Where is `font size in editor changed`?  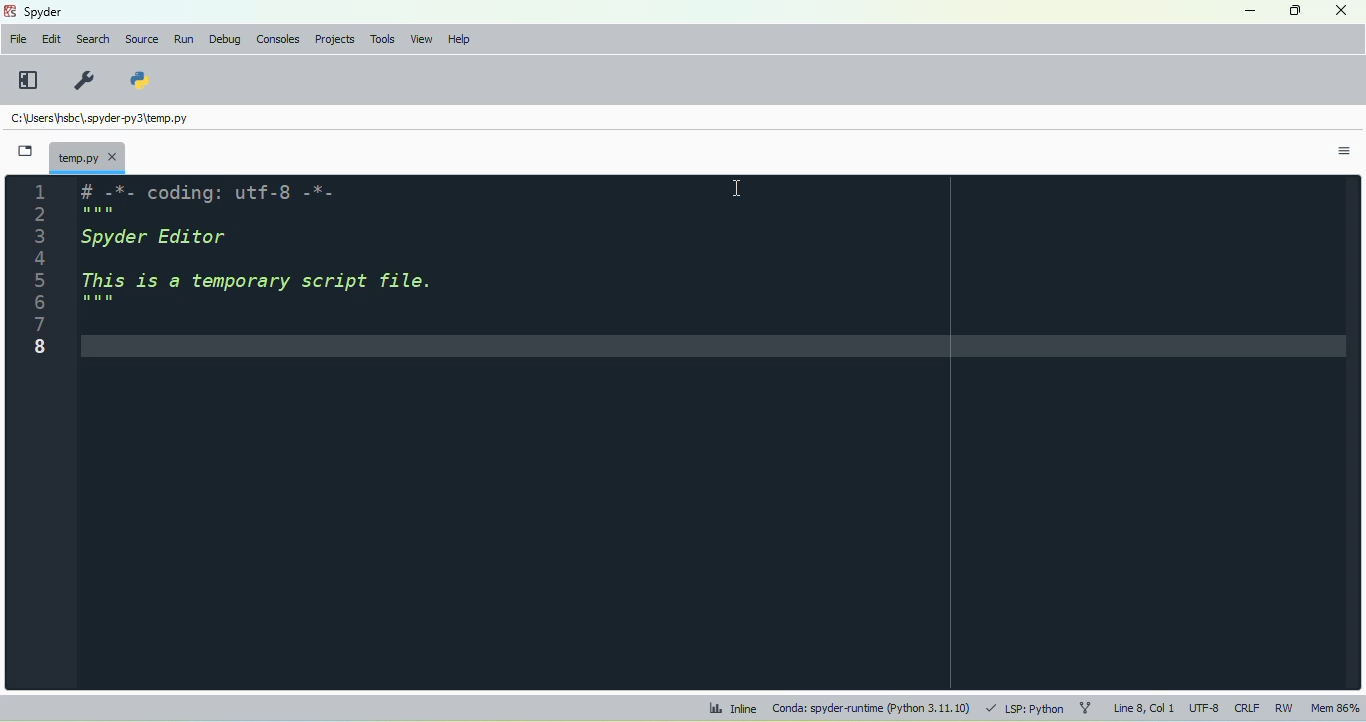 font size in editor changed is located at coordinates (329, 269).